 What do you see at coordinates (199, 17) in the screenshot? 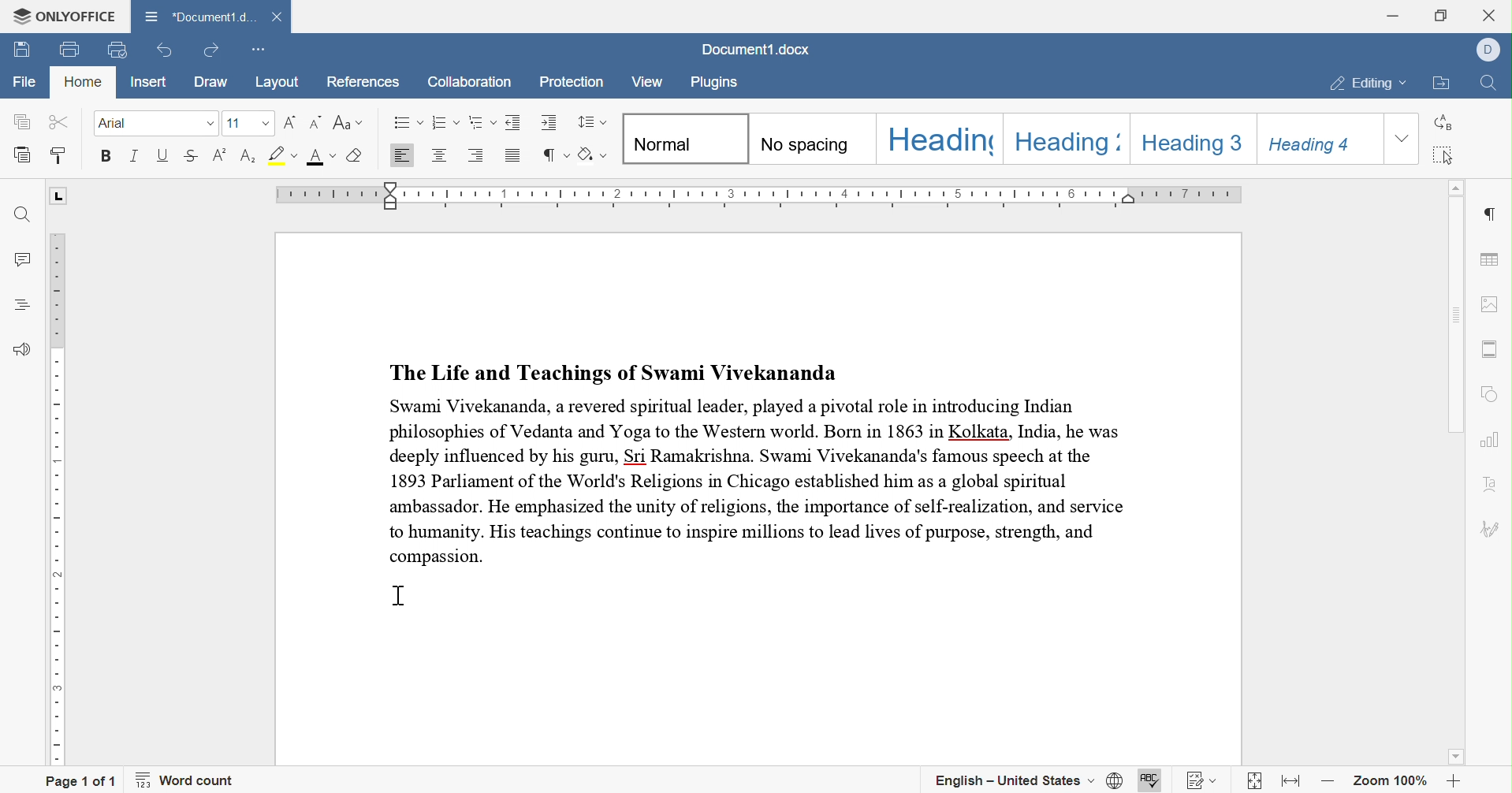
I see `document1.d` at bounding box center [199, 17].